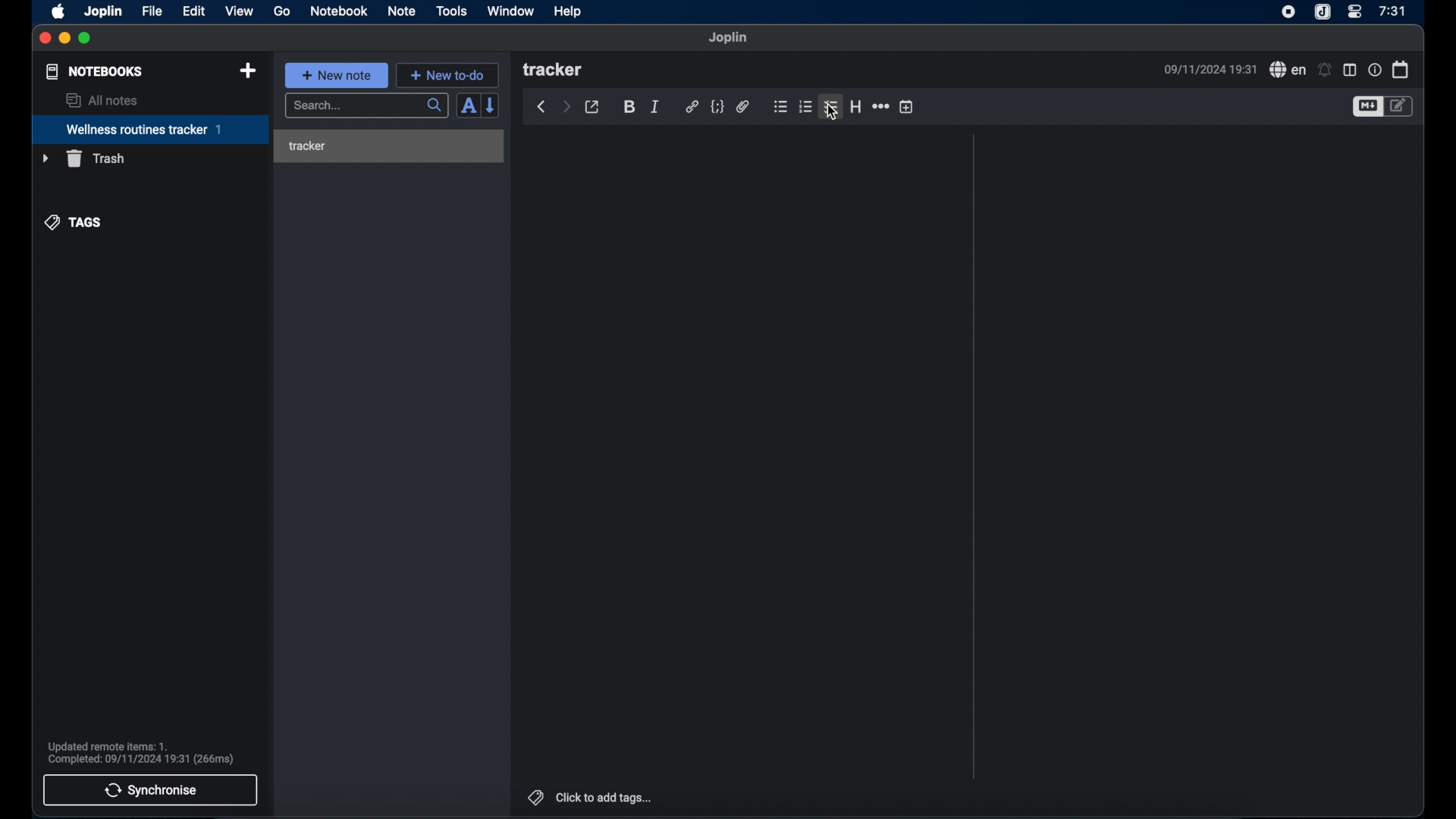  Describe the element at coordinates (249, 71) in the screenshot. I see `new notebook` at that location.